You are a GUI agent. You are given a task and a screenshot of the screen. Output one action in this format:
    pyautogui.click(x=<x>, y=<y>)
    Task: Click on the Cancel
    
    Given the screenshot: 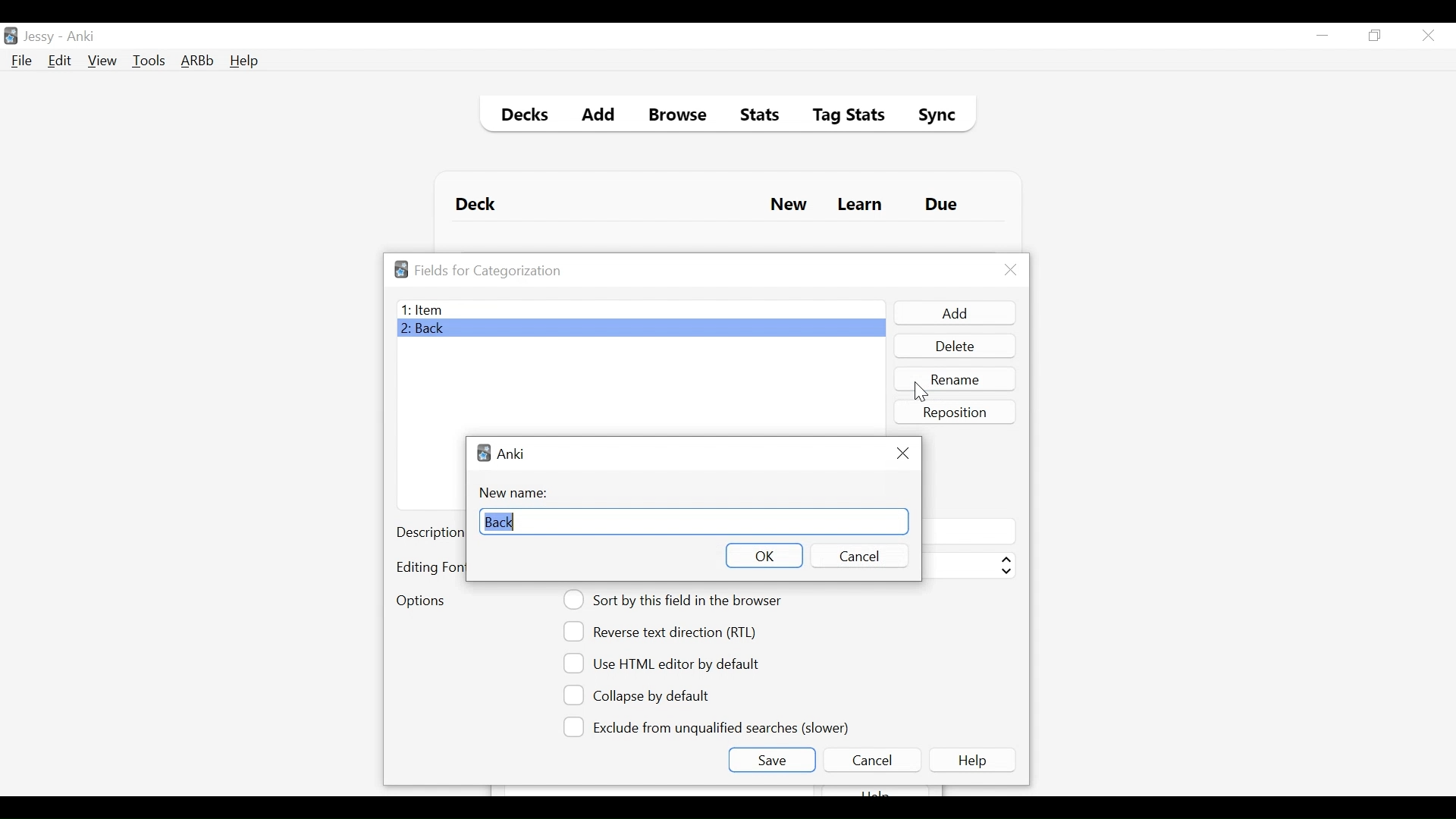 What is the action you would take?
    pyautogui.click(x=871, y=760)
    